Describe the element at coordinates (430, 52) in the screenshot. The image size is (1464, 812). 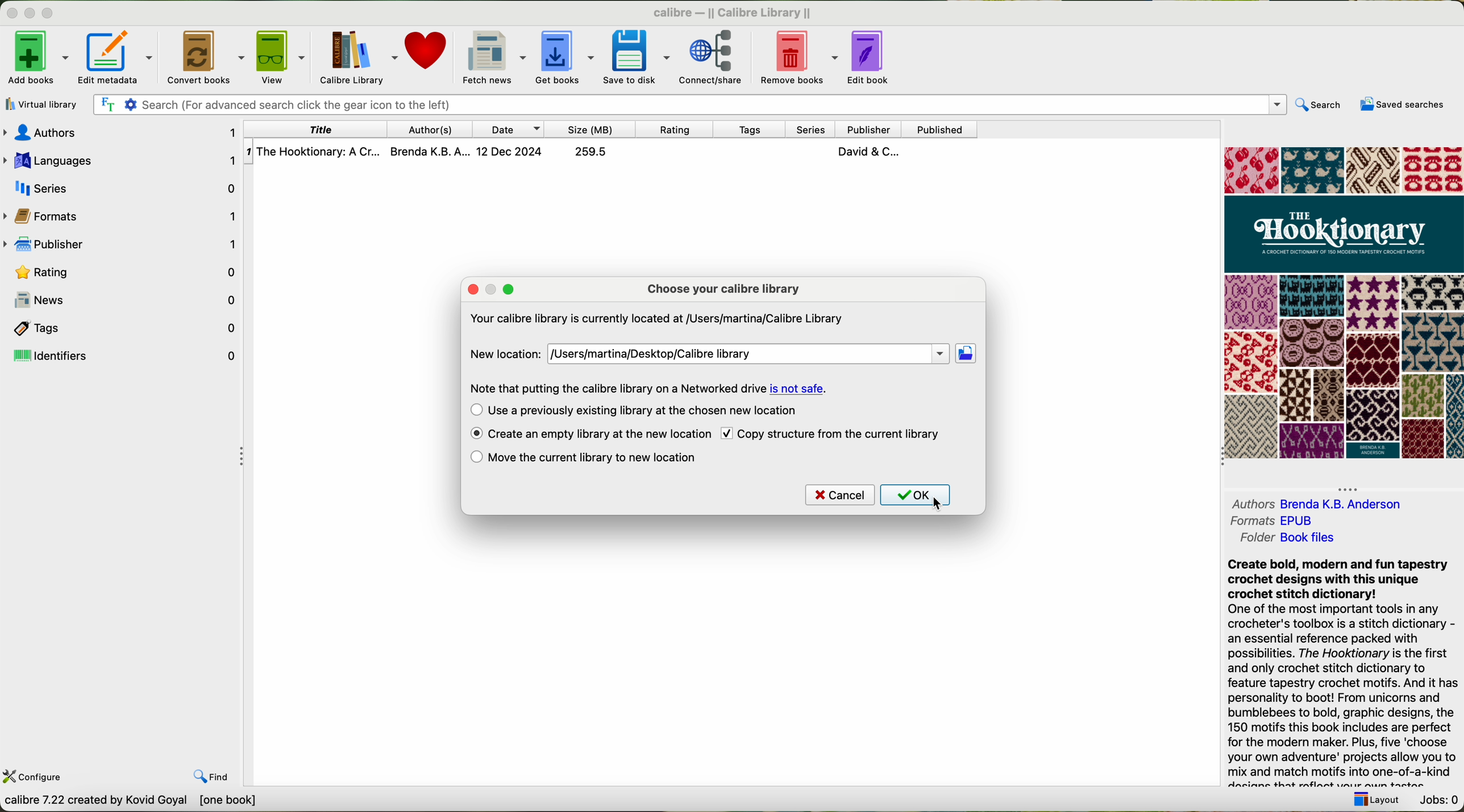
I see `donate` at that location.